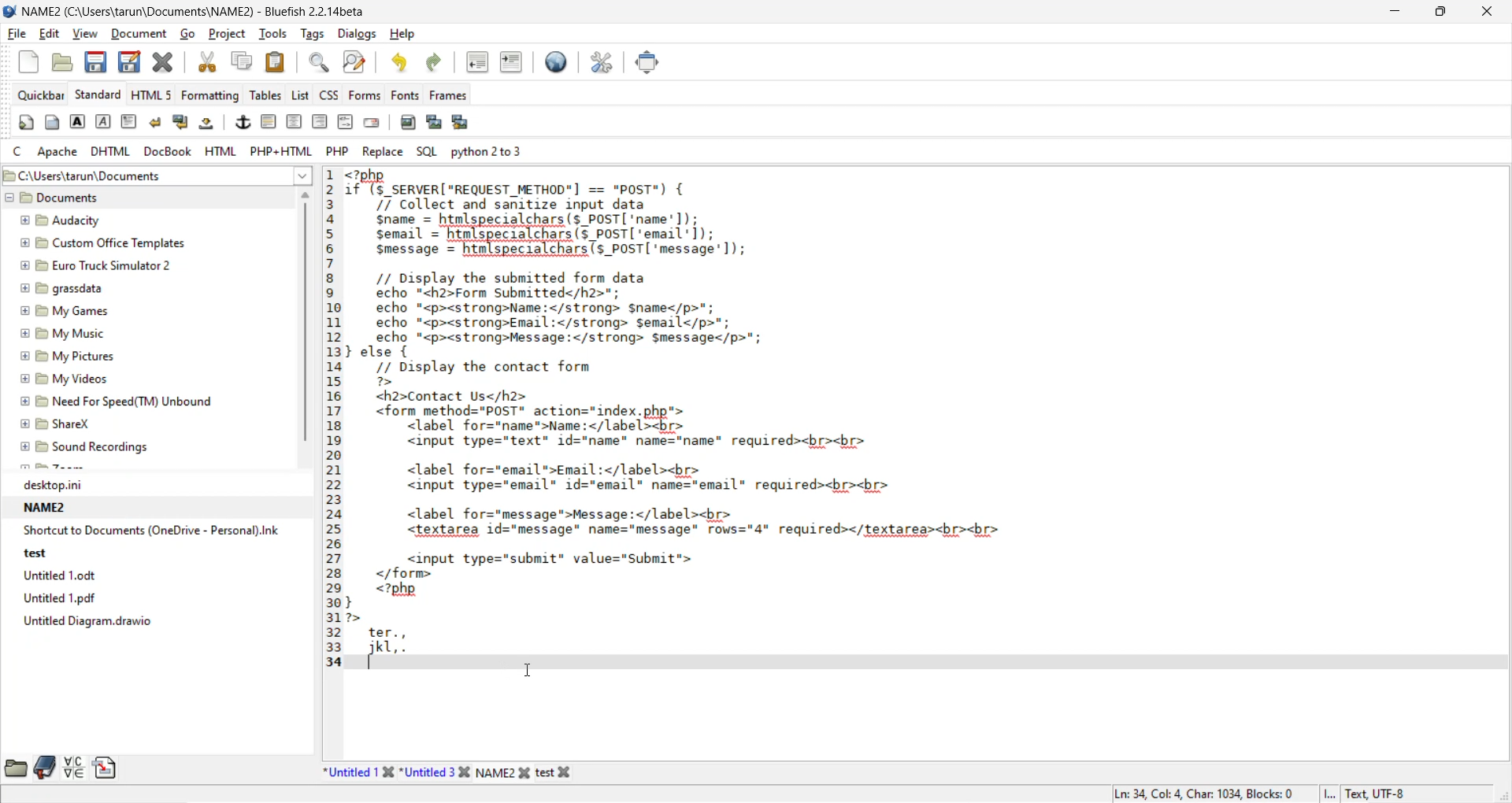  What do you see at coordinates (108, 152) in the screenshot?
I see `dhtml` at bounding box center [108, 152].